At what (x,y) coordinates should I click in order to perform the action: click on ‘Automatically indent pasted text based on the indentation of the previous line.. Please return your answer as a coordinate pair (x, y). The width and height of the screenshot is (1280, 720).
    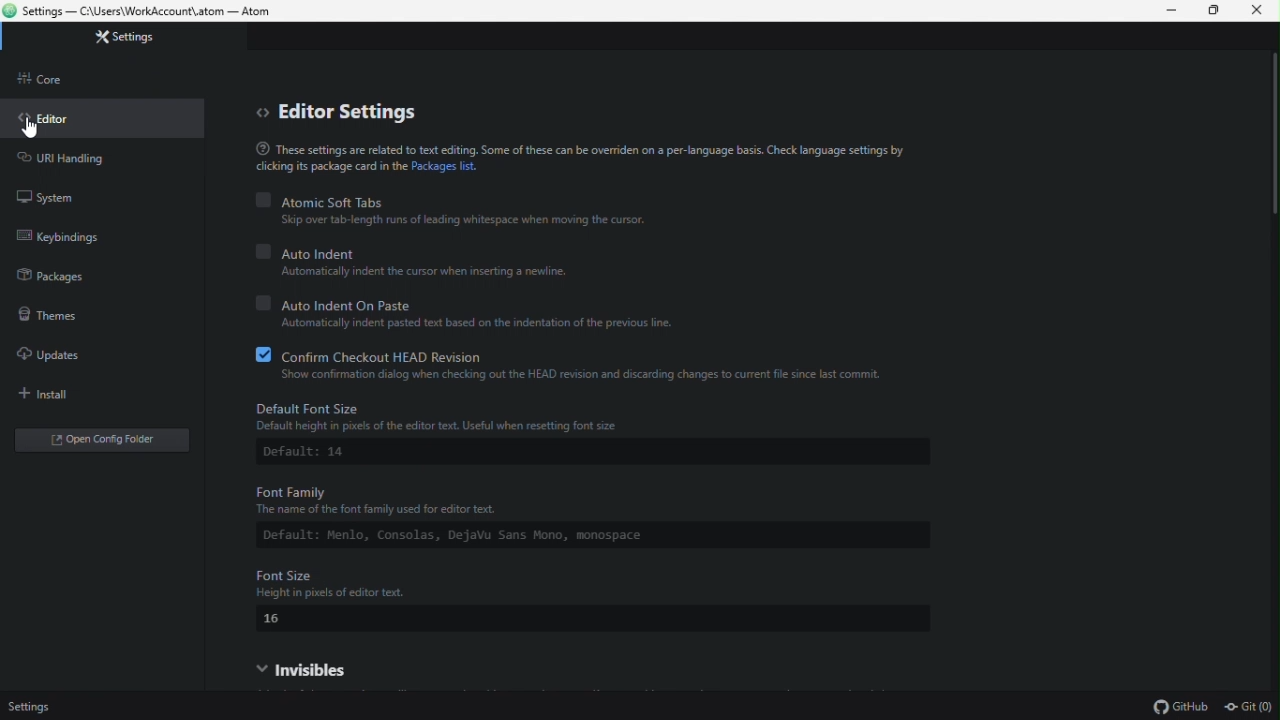
    Looking at the image, I should click on (488, 324).